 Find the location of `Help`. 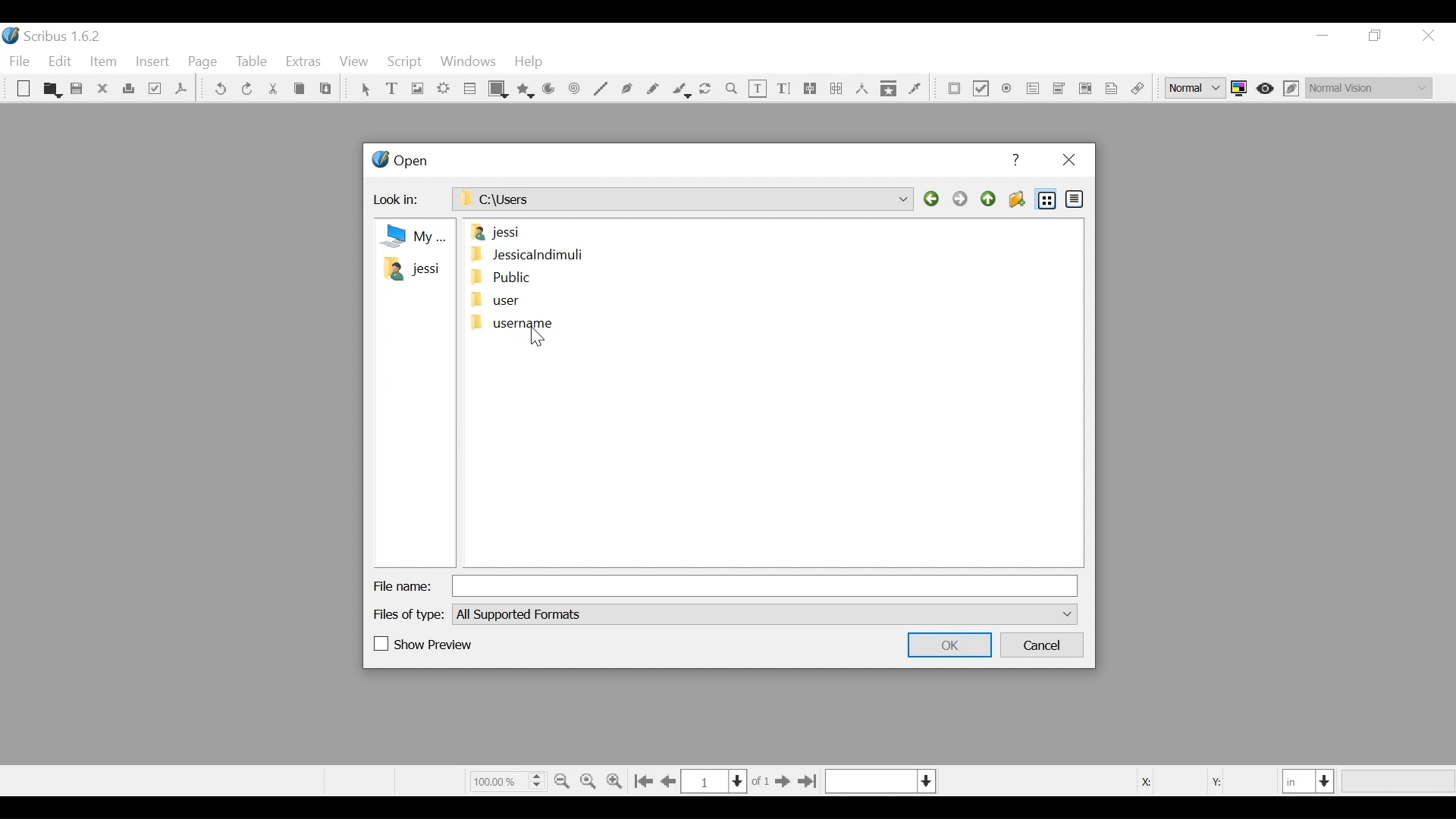

Help is located at coordinates (529, 63).